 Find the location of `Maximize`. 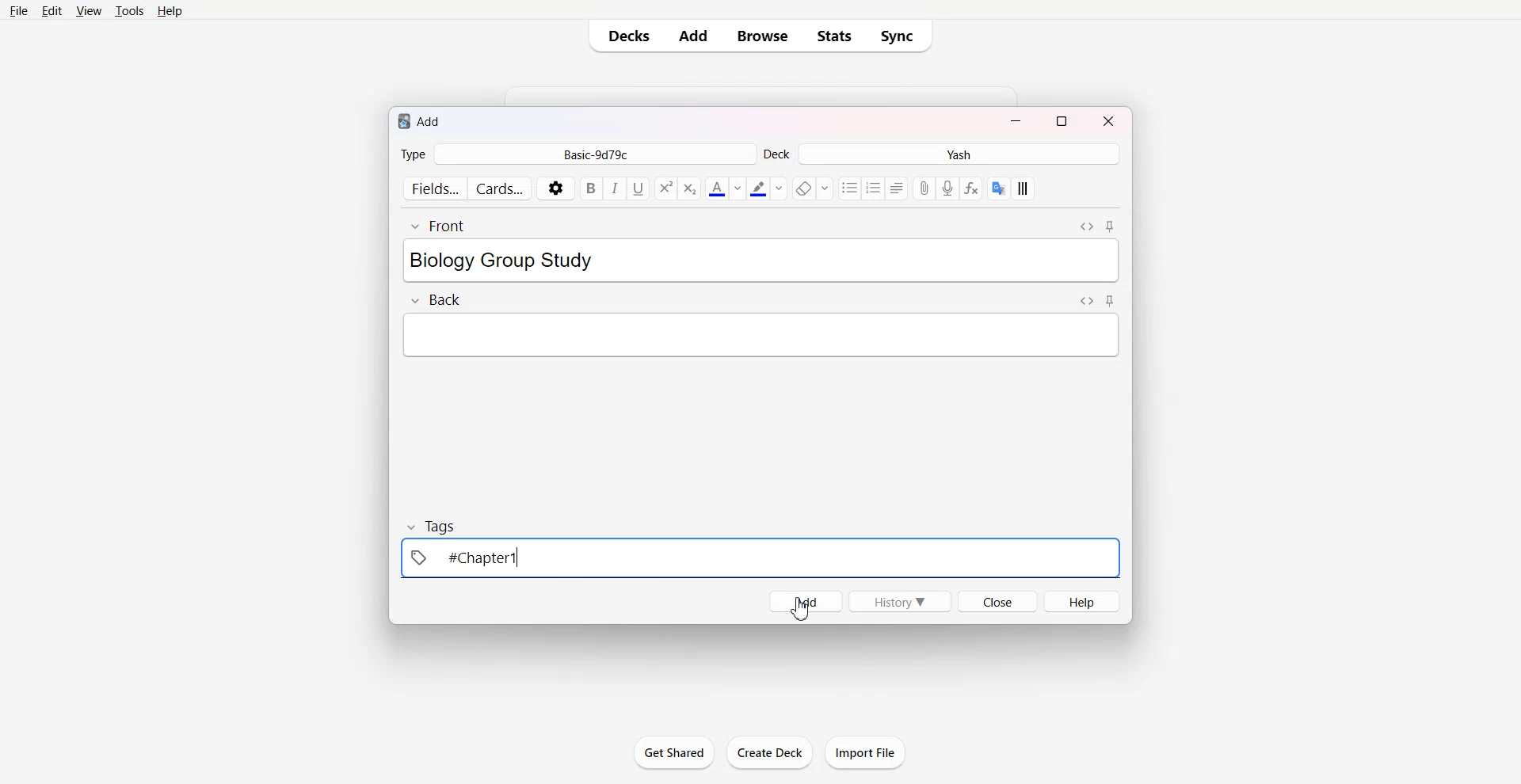

Maximize is located at coordinates (1062, 120).